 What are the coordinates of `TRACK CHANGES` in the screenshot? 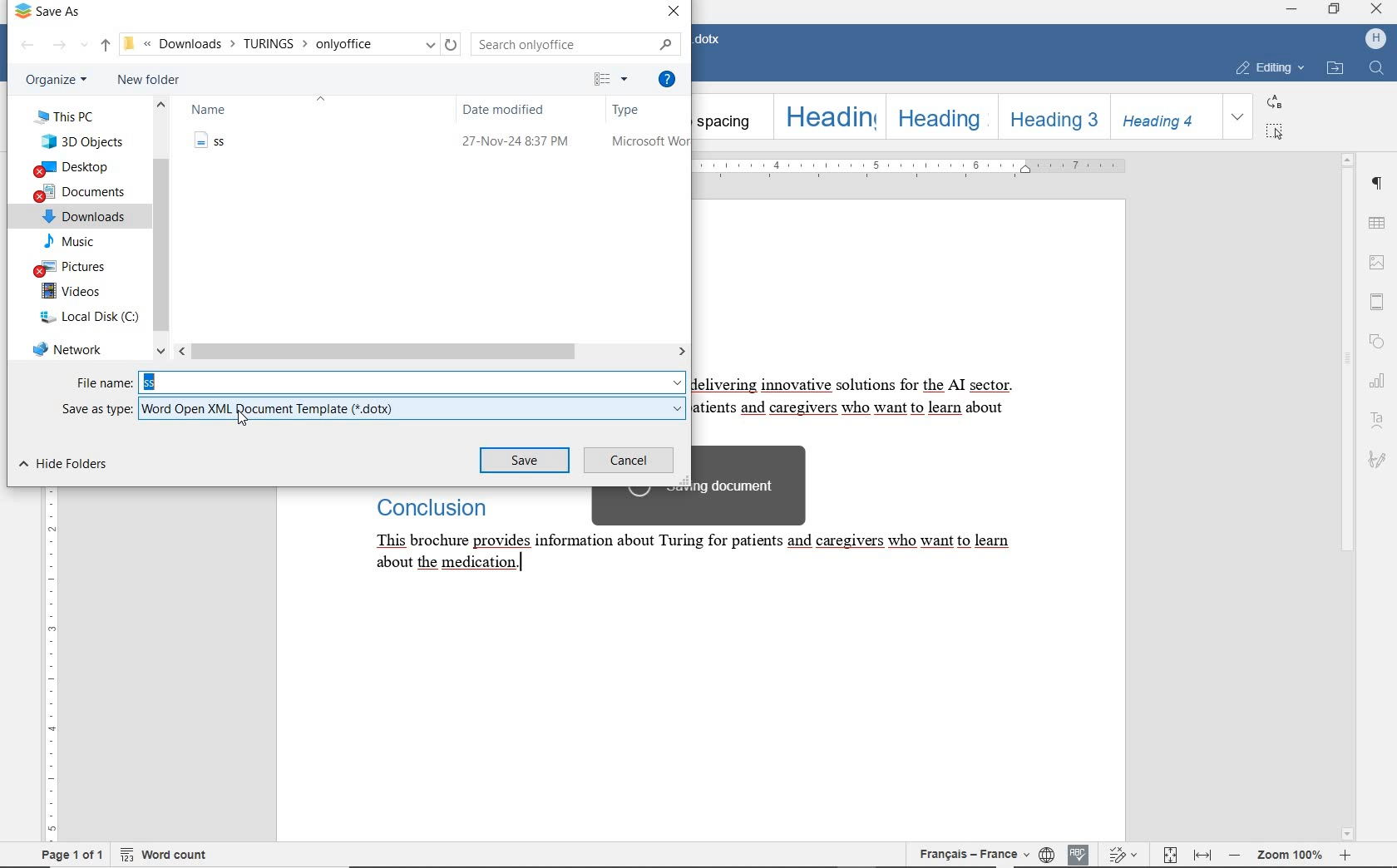 It's located at (1127, 853).